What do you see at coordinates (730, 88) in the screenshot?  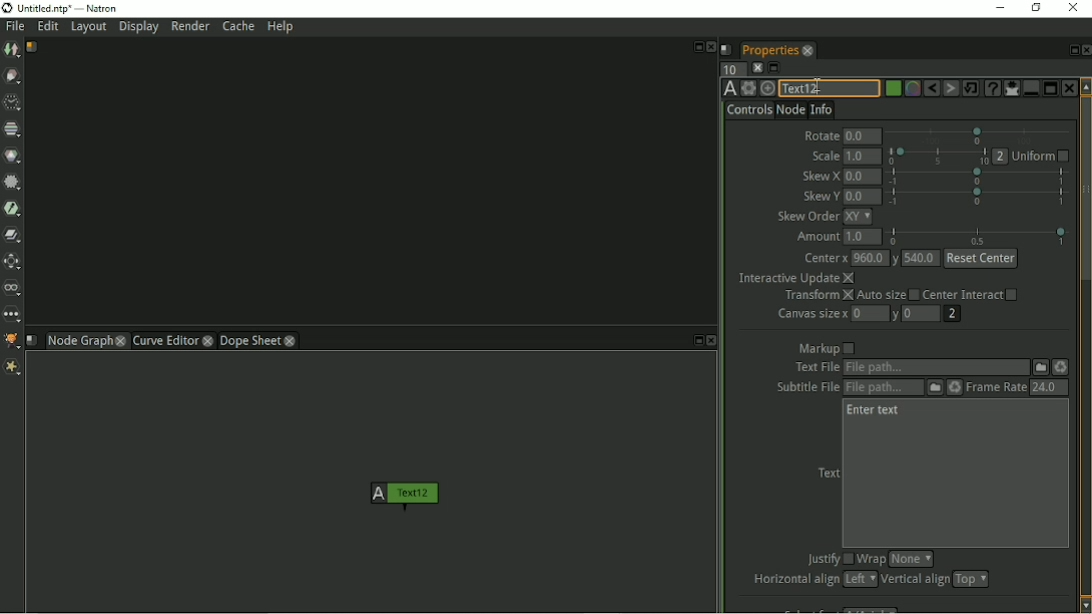 I see `TextOFX Version 6.13` at bounding box center [730, 88].